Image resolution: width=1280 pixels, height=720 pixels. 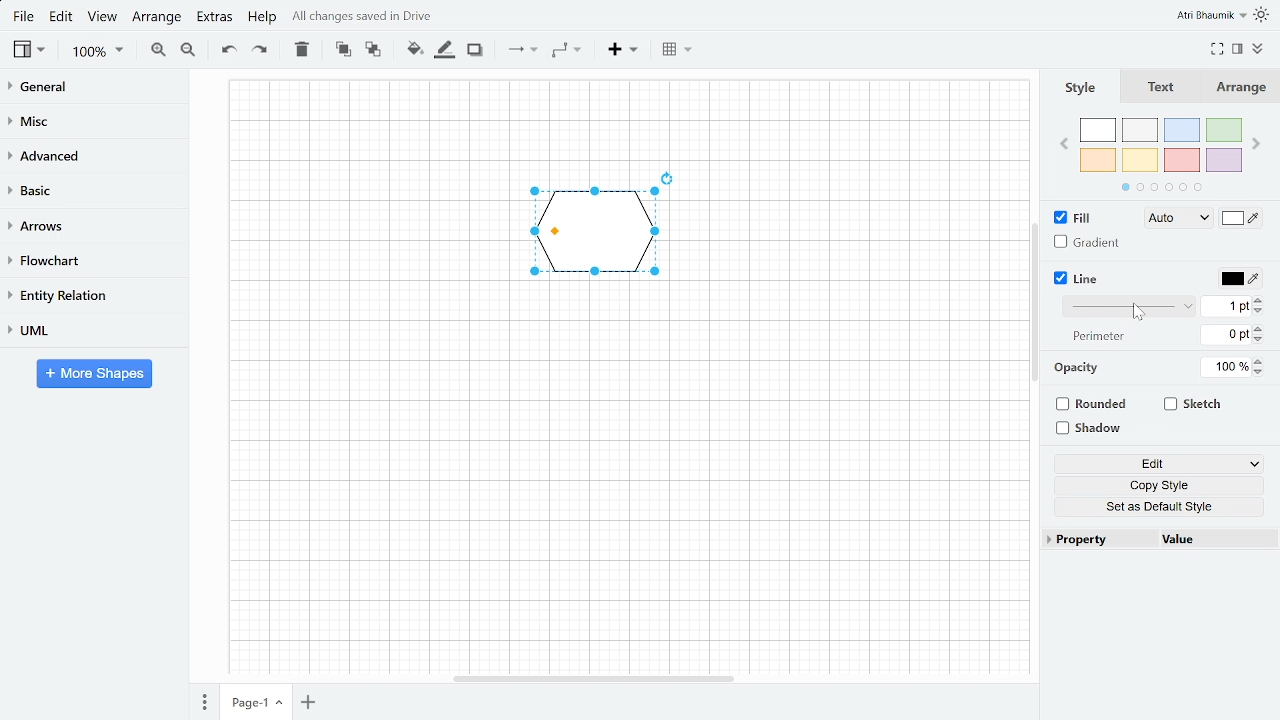 I want to click on Current line width, so click(x=1226, y=307).